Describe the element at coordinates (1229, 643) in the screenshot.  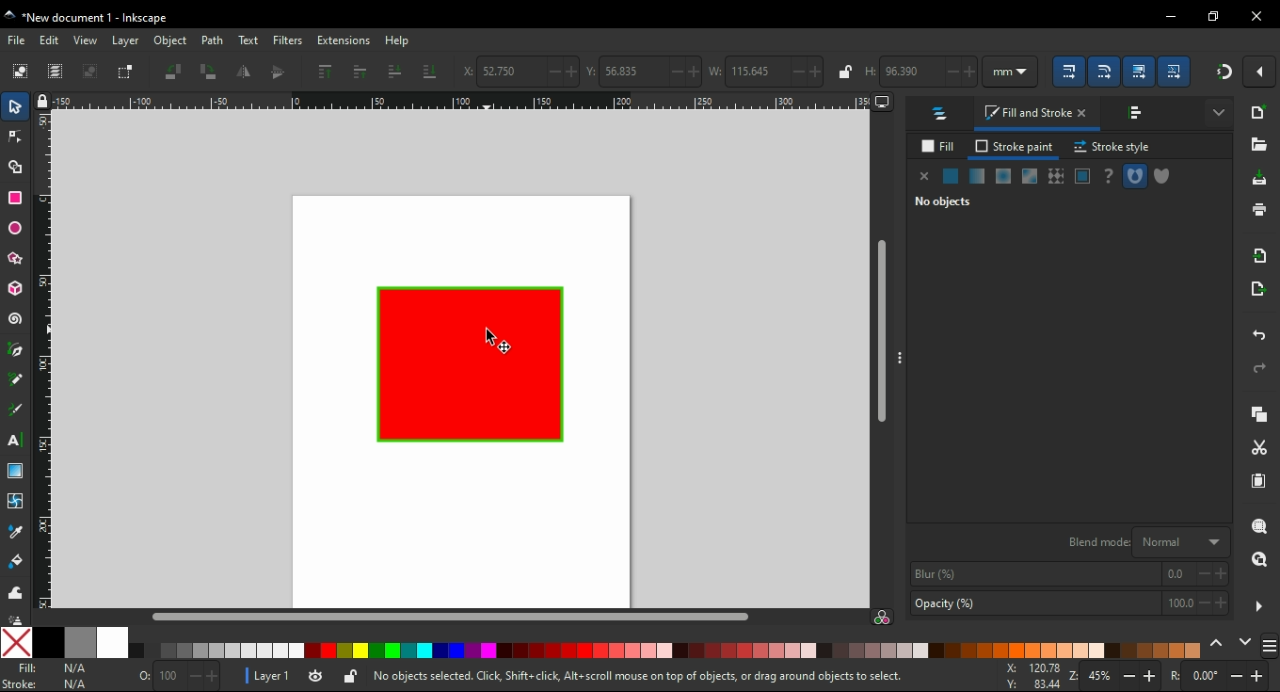
I see `color scroll options` at that location.